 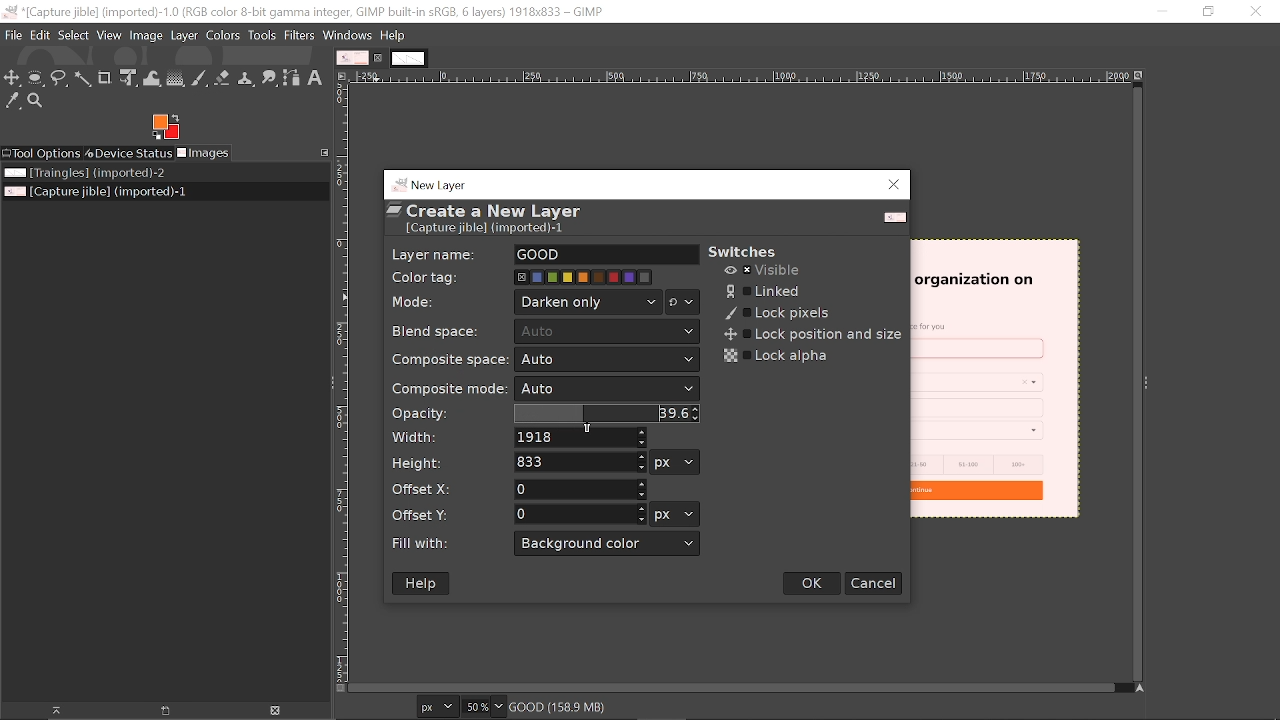 What do you see at coordinates (292, 78) in the screenshot?
I see `Path tool` at bounding box center [292, 78].